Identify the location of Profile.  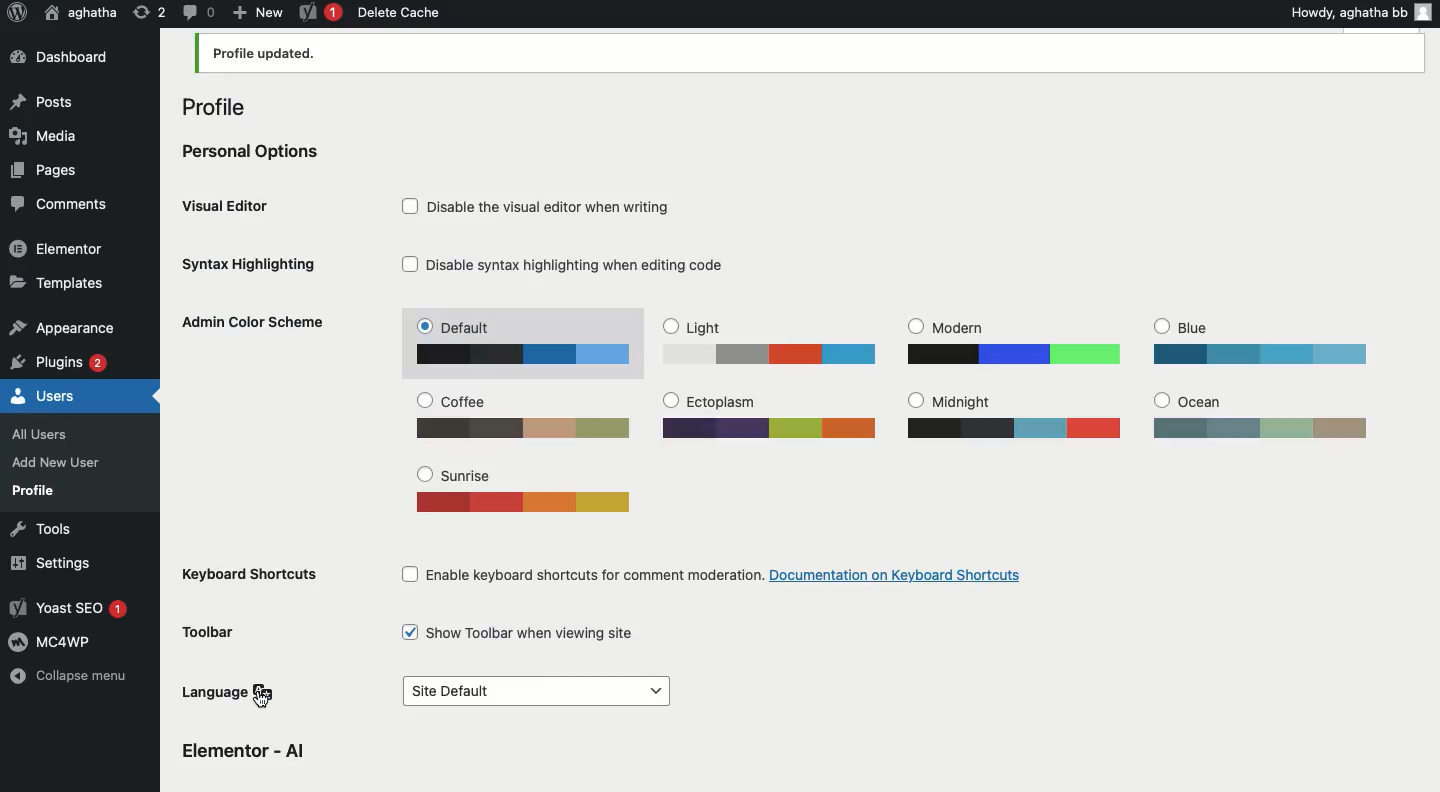
(228, 102).